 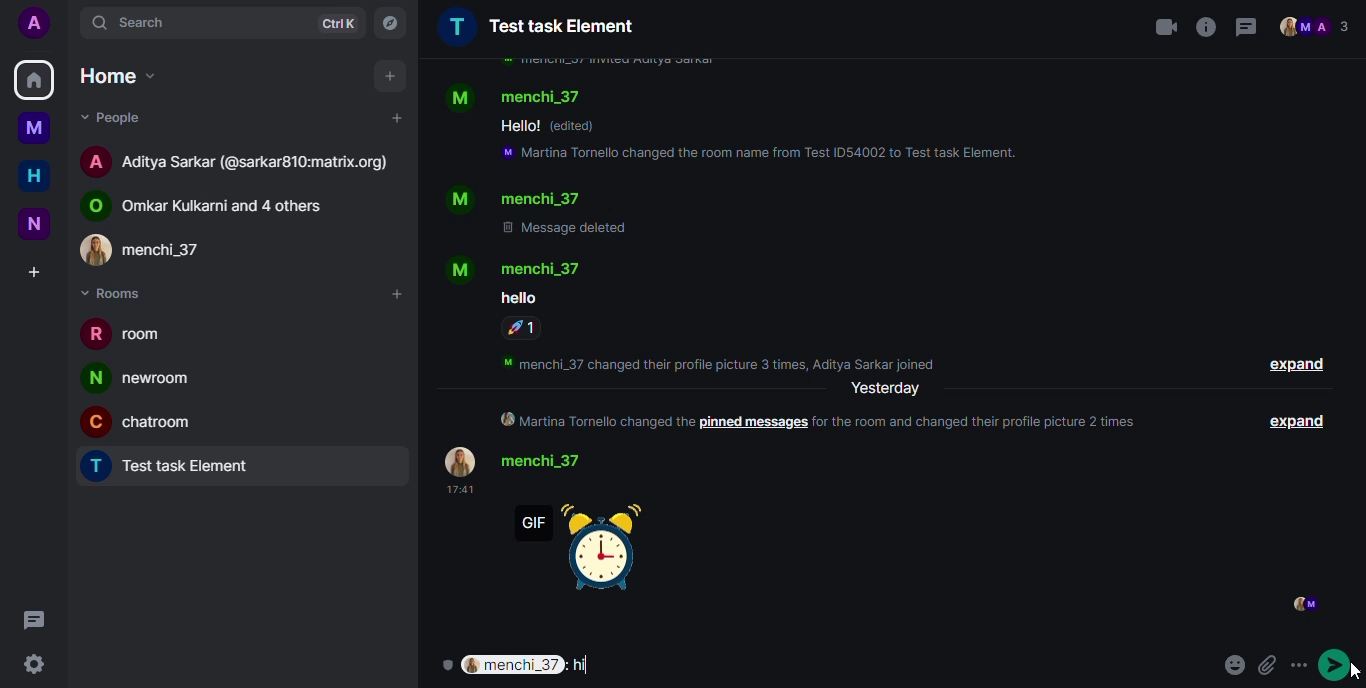 I want to click on explore rooms, so click(x=389, y=22).